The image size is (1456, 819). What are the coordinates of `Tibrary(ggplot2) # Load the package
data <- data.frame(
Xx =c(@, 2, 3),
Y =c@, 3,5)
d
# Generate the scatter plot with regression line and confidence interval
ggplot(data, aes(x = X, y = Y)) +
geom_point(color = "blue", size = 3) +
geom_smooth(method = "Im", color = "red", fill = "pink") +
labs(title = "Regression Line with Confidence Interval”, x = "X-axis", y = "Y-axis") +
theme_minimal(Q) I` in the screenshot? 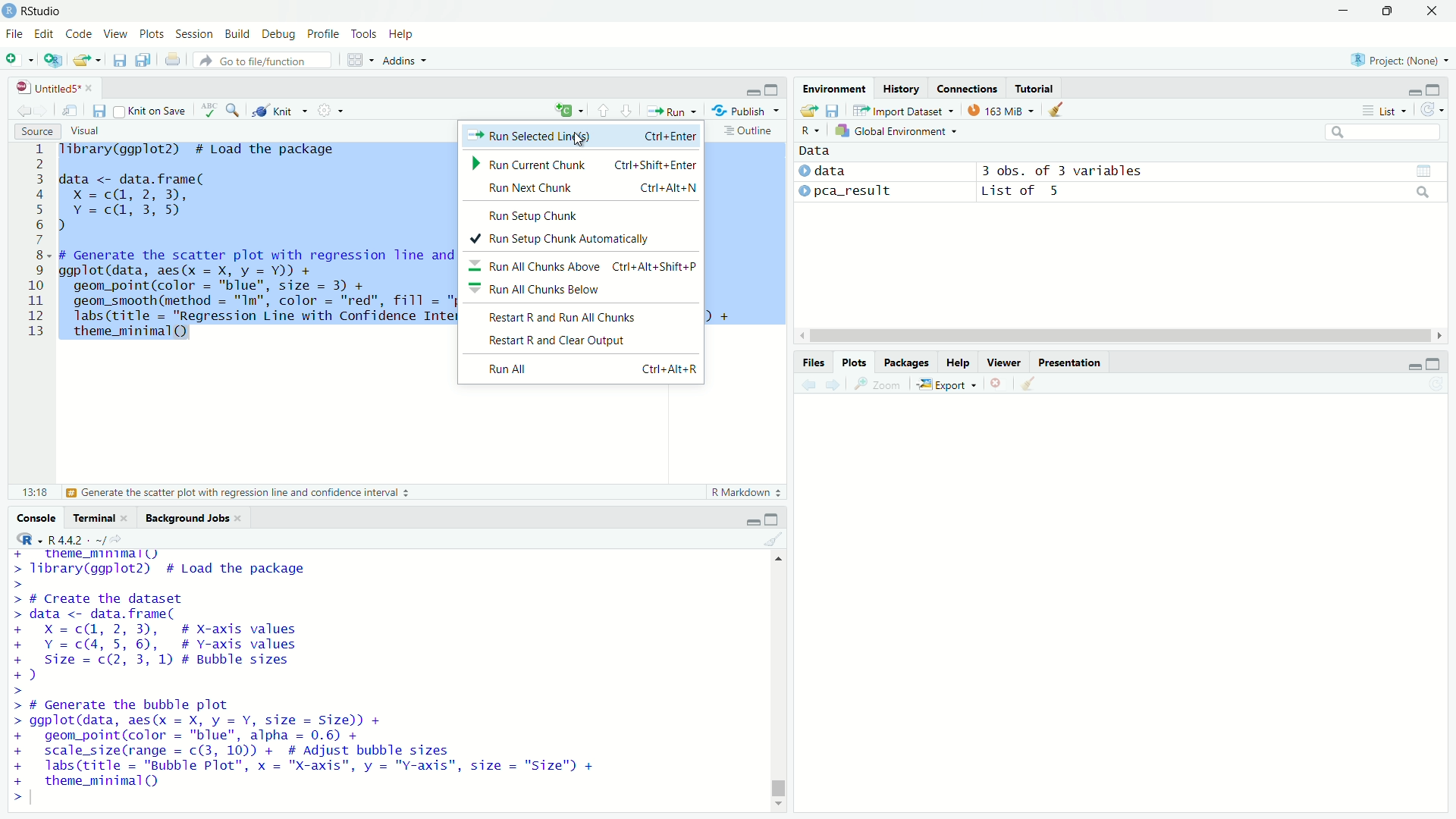 It's located at (257, 245).